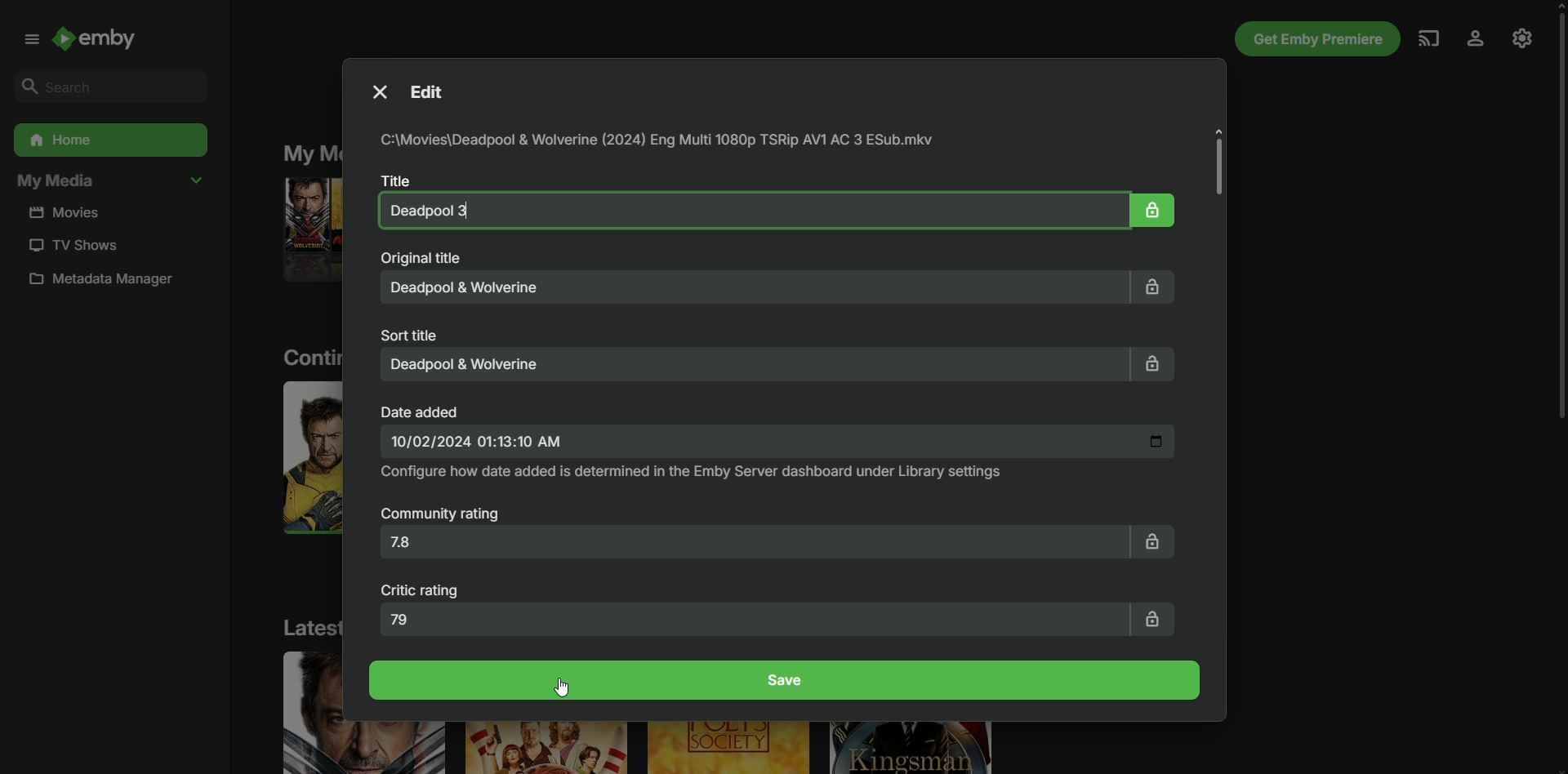 The height and width of the screenshot is (774, 1568). I want to click on Deadpool and Wolverine, so click(751, 363).